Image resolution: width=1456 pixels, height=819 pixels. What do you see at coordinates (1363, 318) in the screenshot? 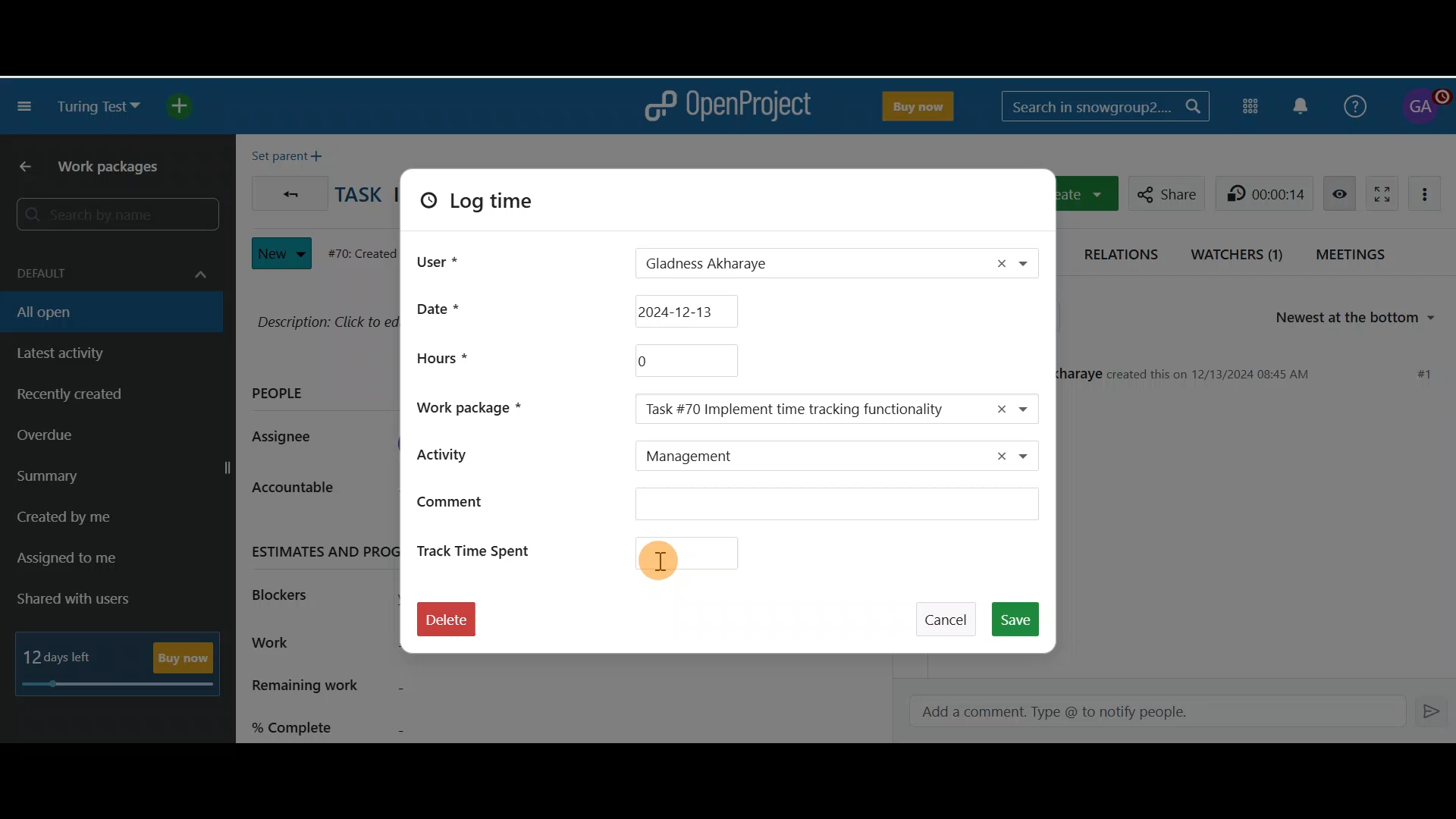
I see `Newest at the bottom` at bounding box center [1363, 318].